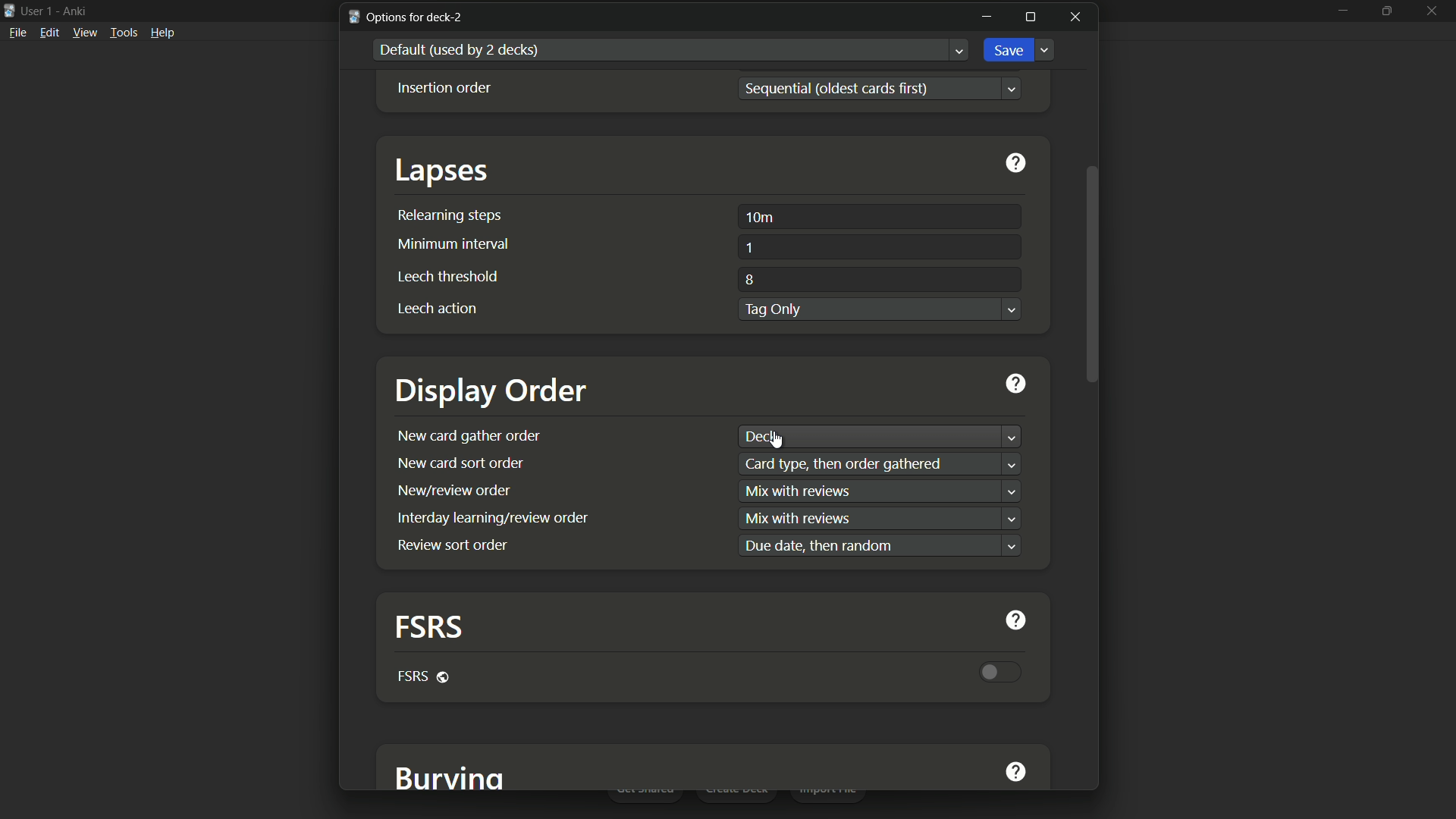 The height and width of the screenshot is (819, 1456). I want to click on minimize, so click(1341, 10).